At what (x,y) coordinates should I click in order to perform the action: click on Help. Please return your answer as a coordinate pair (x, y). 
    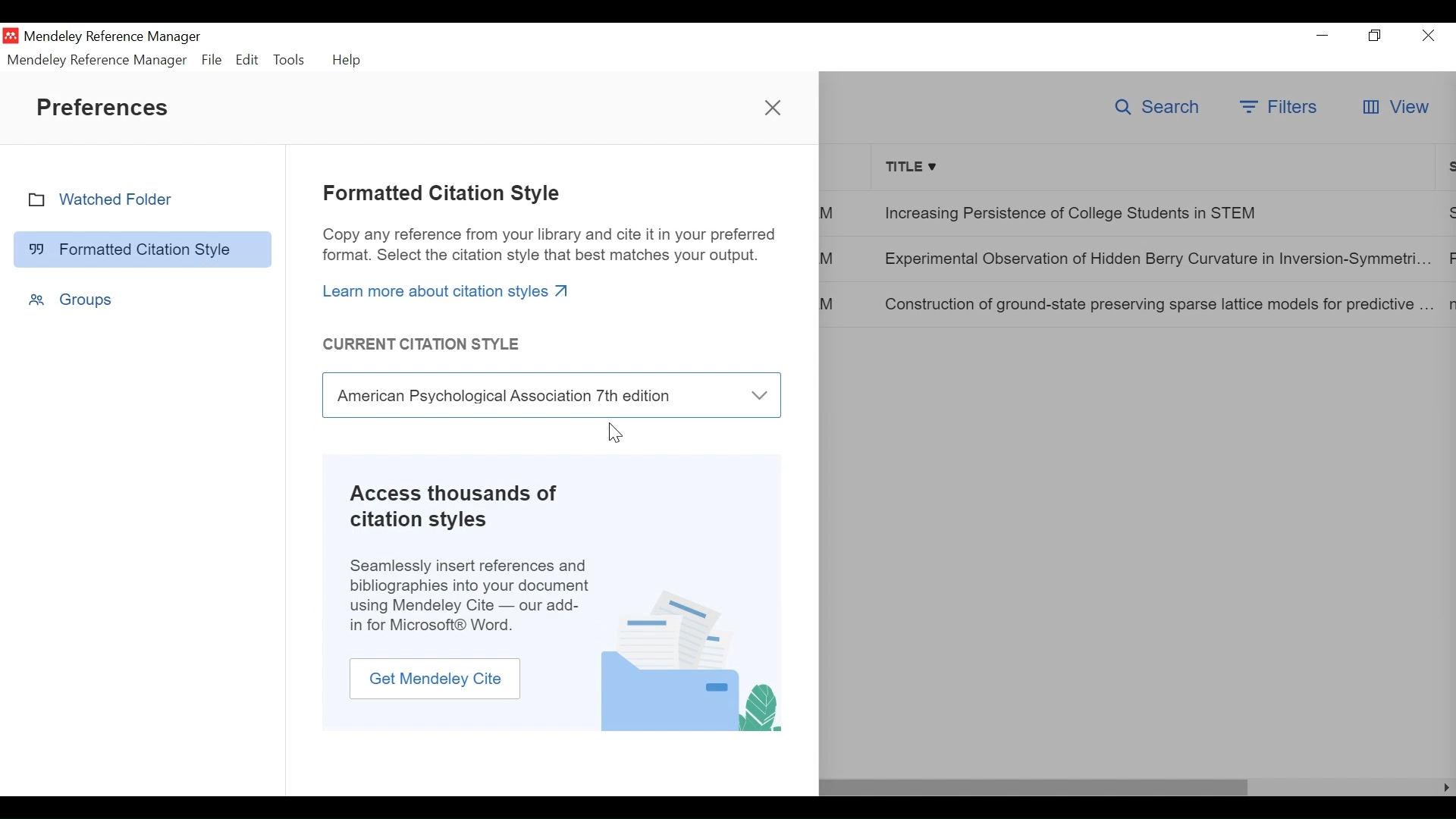
    Looking at the image, I should click on (350, 60).